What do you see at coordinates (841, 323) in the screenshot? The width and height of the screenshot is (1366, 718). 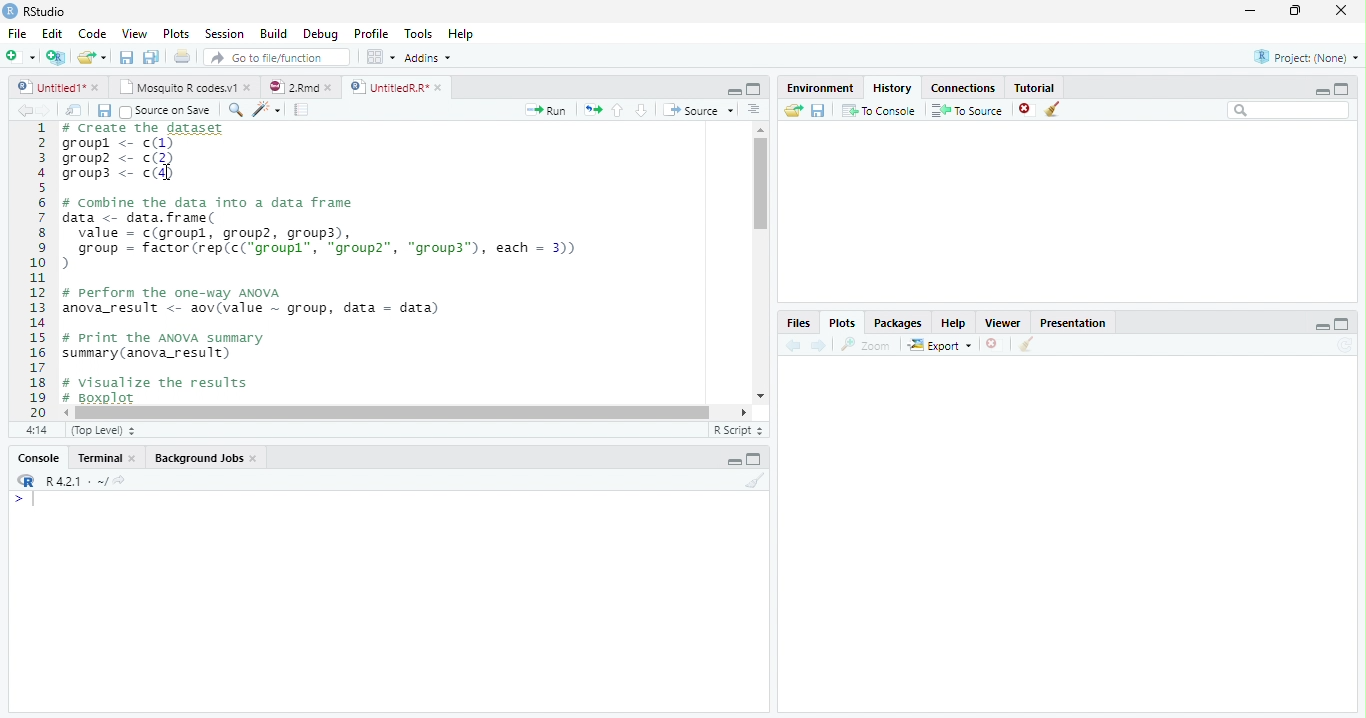 I see `Plots` at bounding box center [841, 323].